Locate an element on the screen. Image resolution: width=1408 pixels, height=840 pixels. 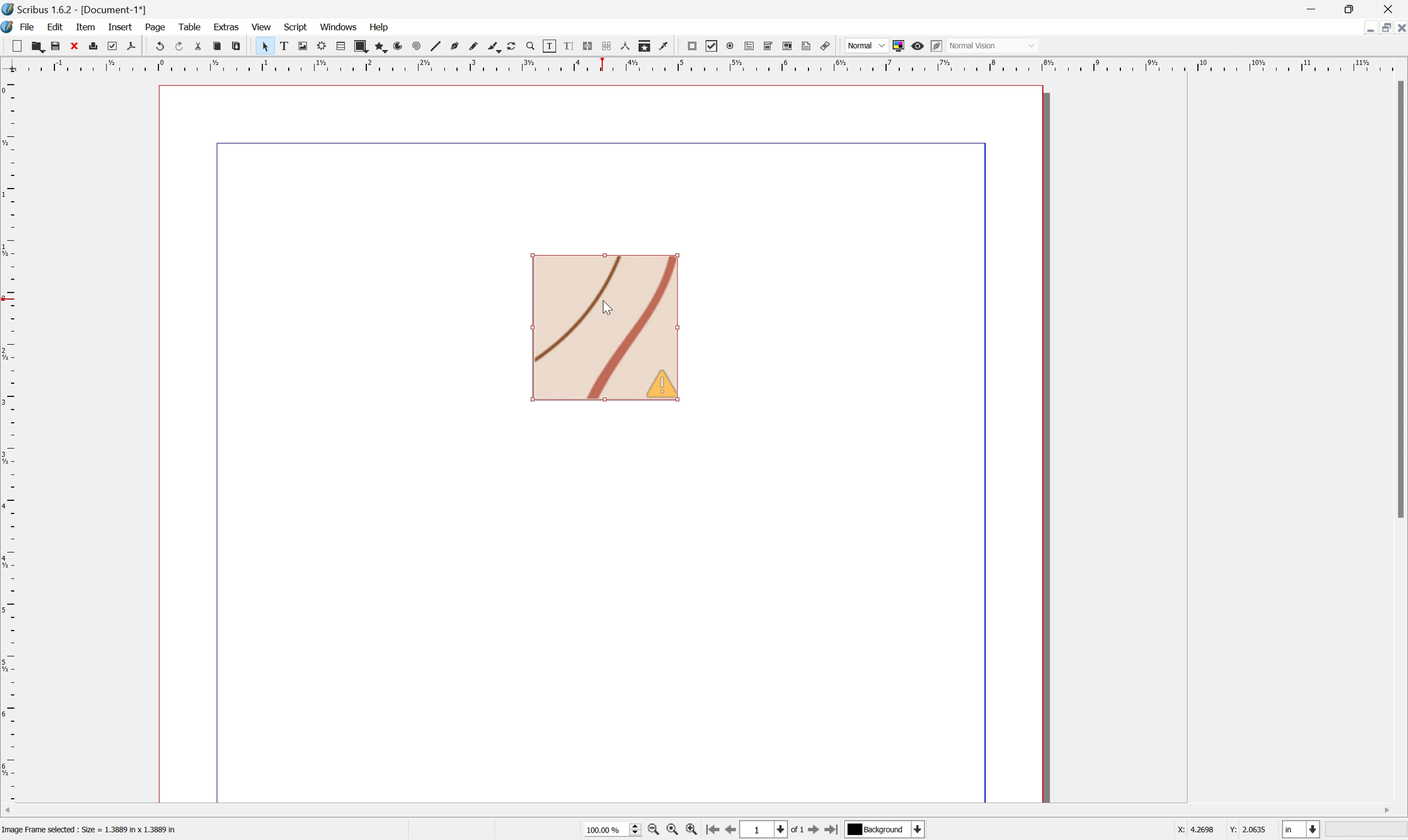
Unlink text frames is located at coordinates (610, 46).